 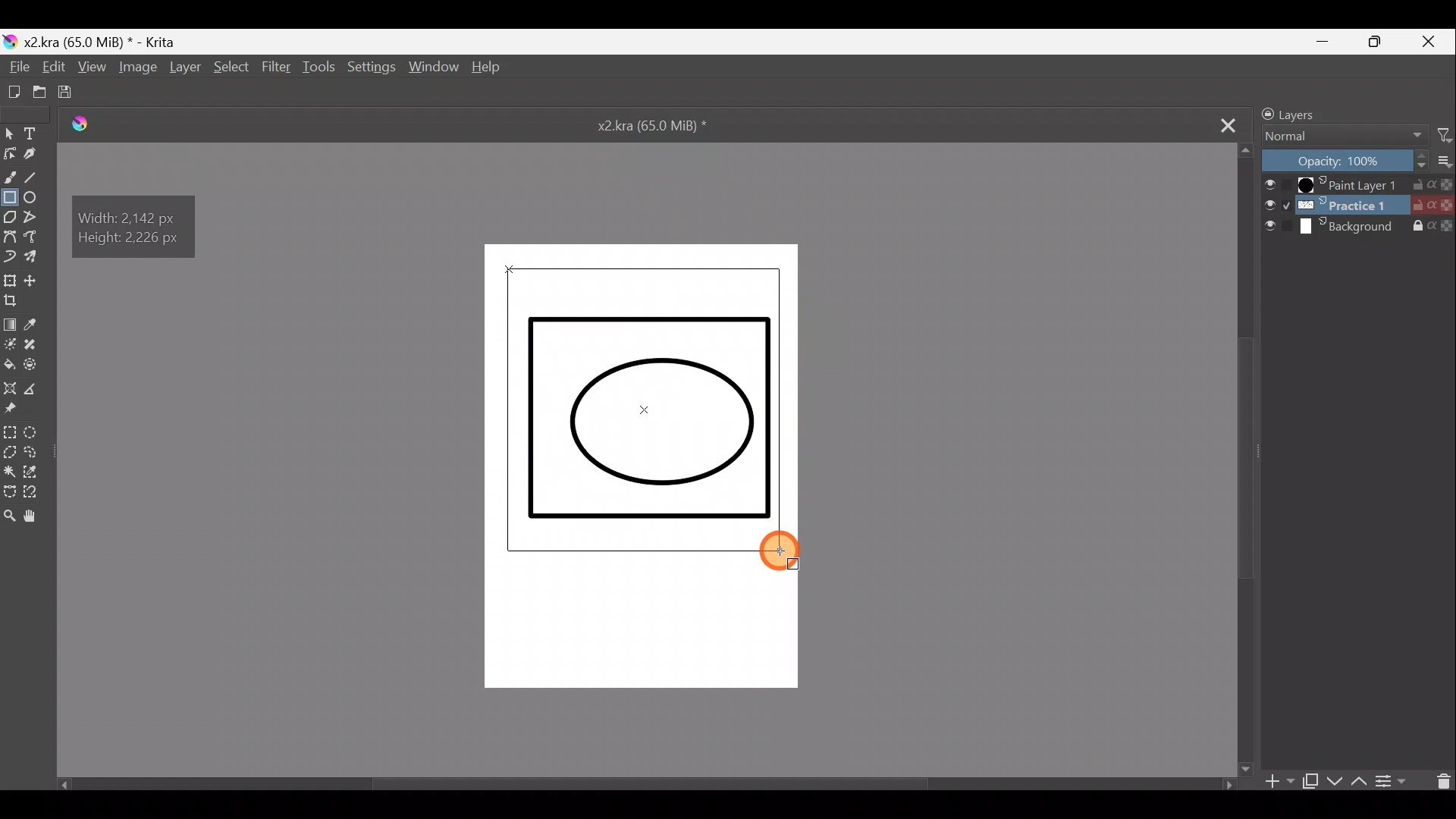 What do you see at coordinates (33, 473) in the screenshot?
I see `Similar colour selection tool` at bounding box center [33, 473].